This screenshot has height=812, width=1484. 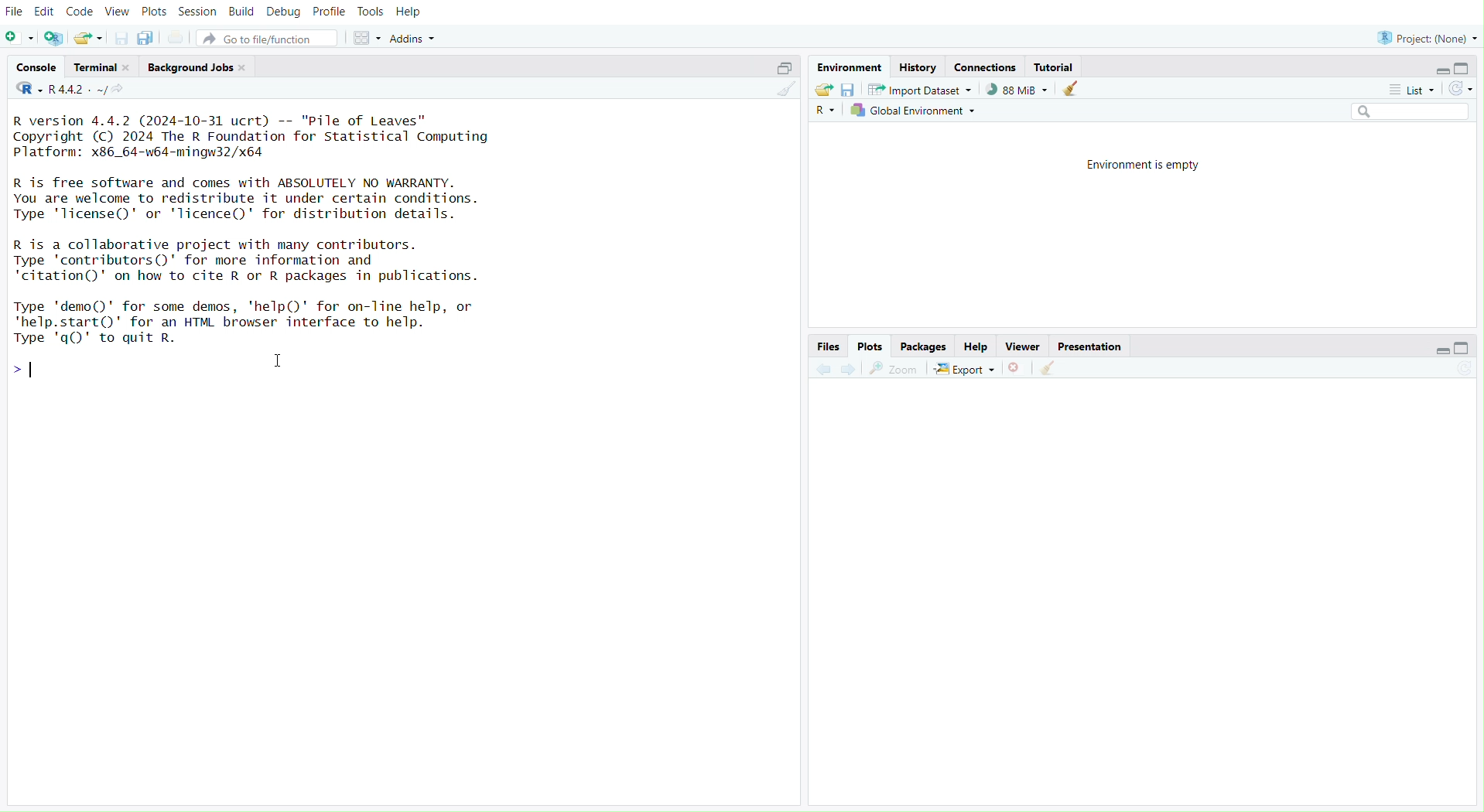 What do you see at coordinates (414, 12) in the screenshot?
I see `Help` at bounding box center [414, 12].